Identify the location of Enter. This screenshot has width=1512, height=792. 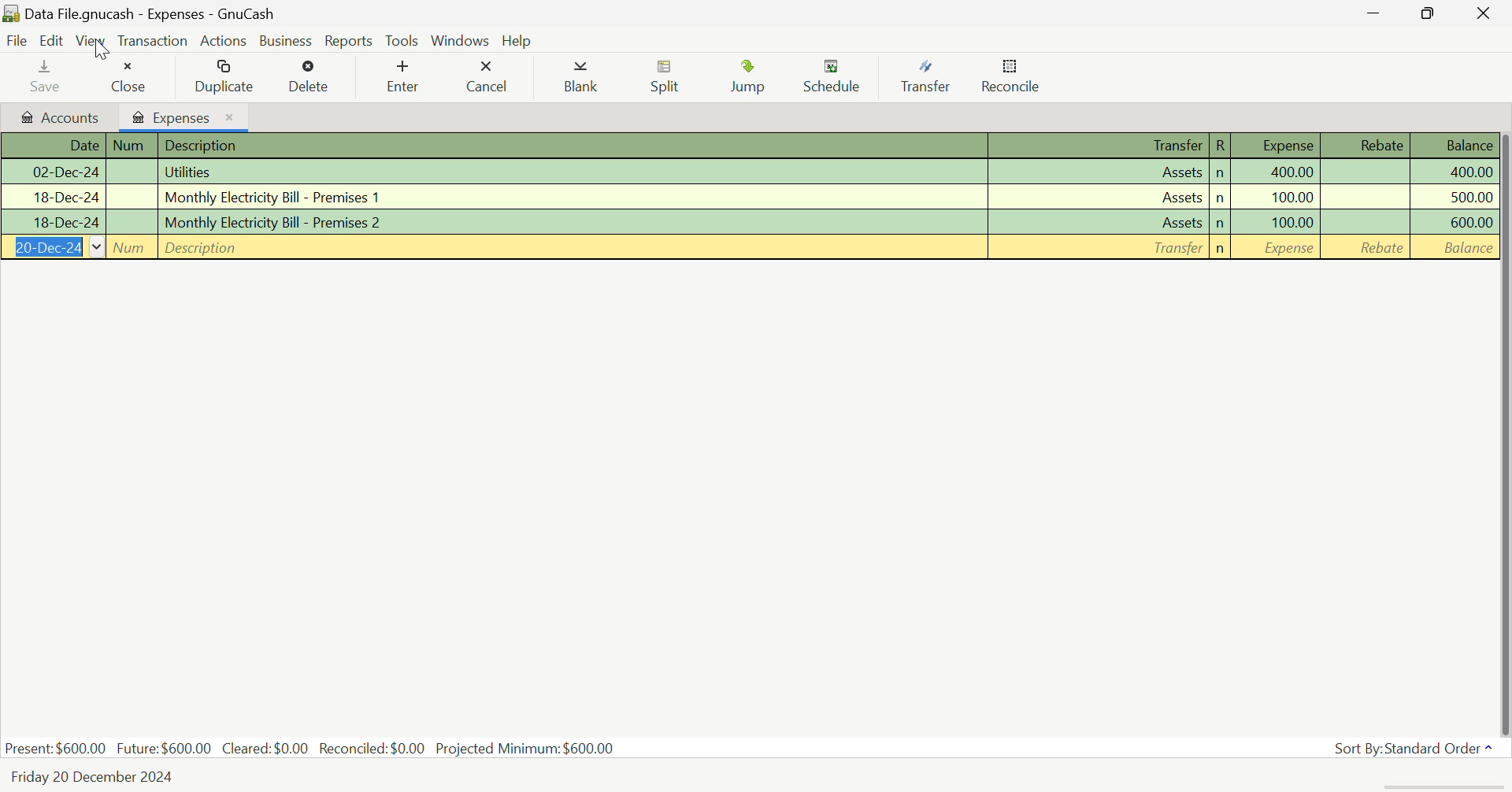
(406, 76).